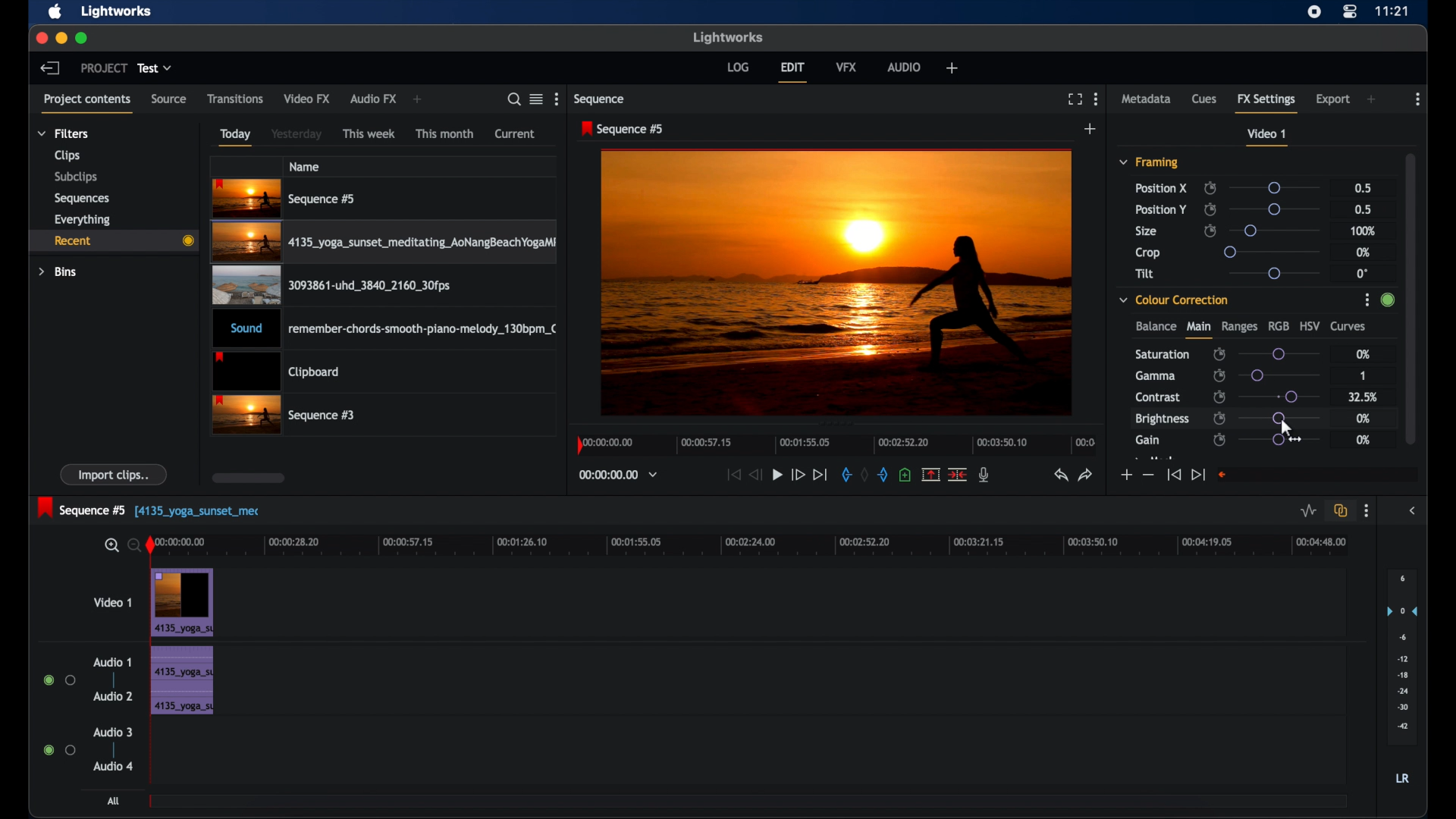 The image size is (1456, 819). Describe the element at coordinates (115, 474) in the screenshot. I see `import clips` at that location.